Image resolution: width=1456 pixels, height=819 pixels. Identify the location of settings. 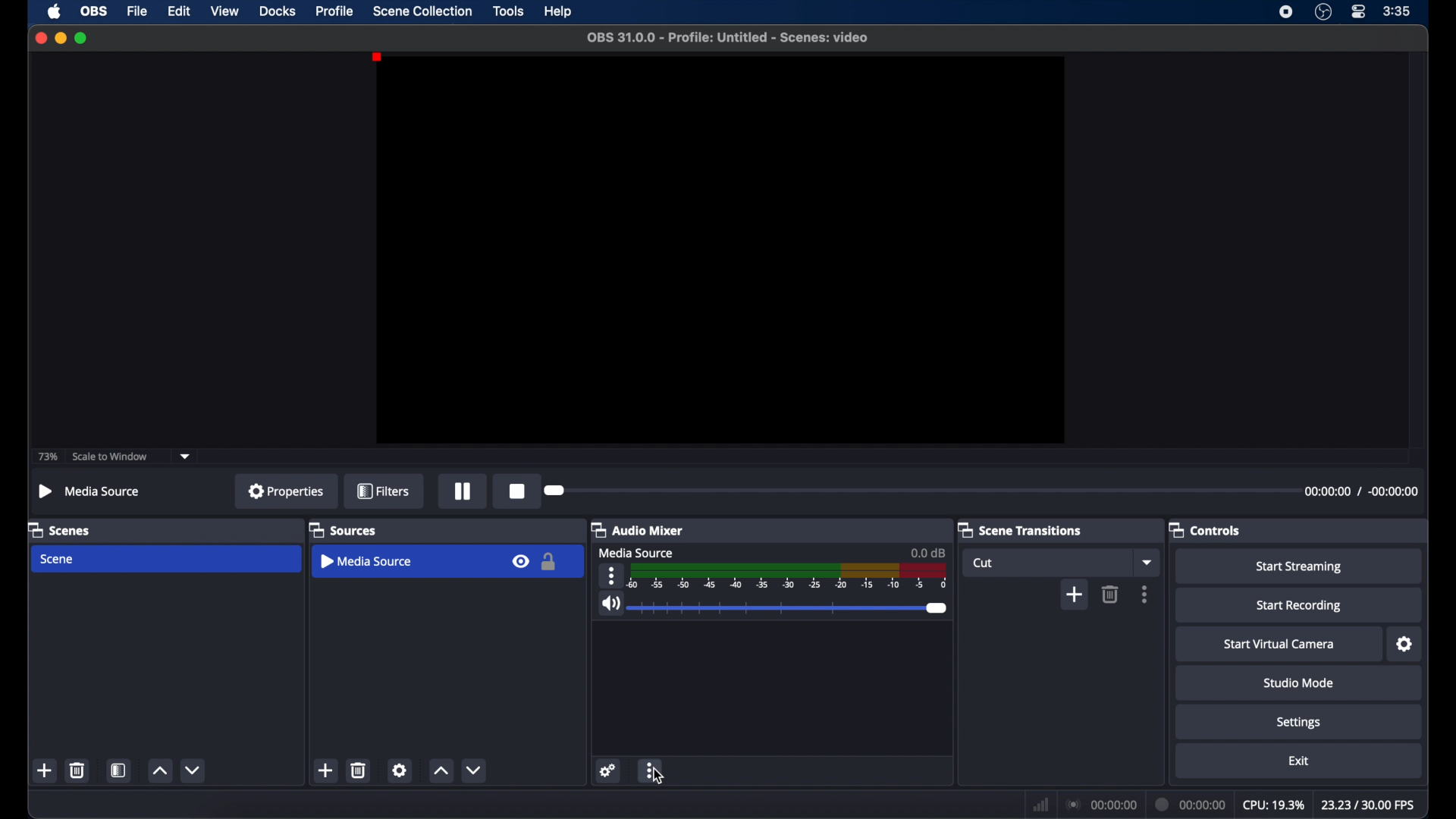
(400, 770).